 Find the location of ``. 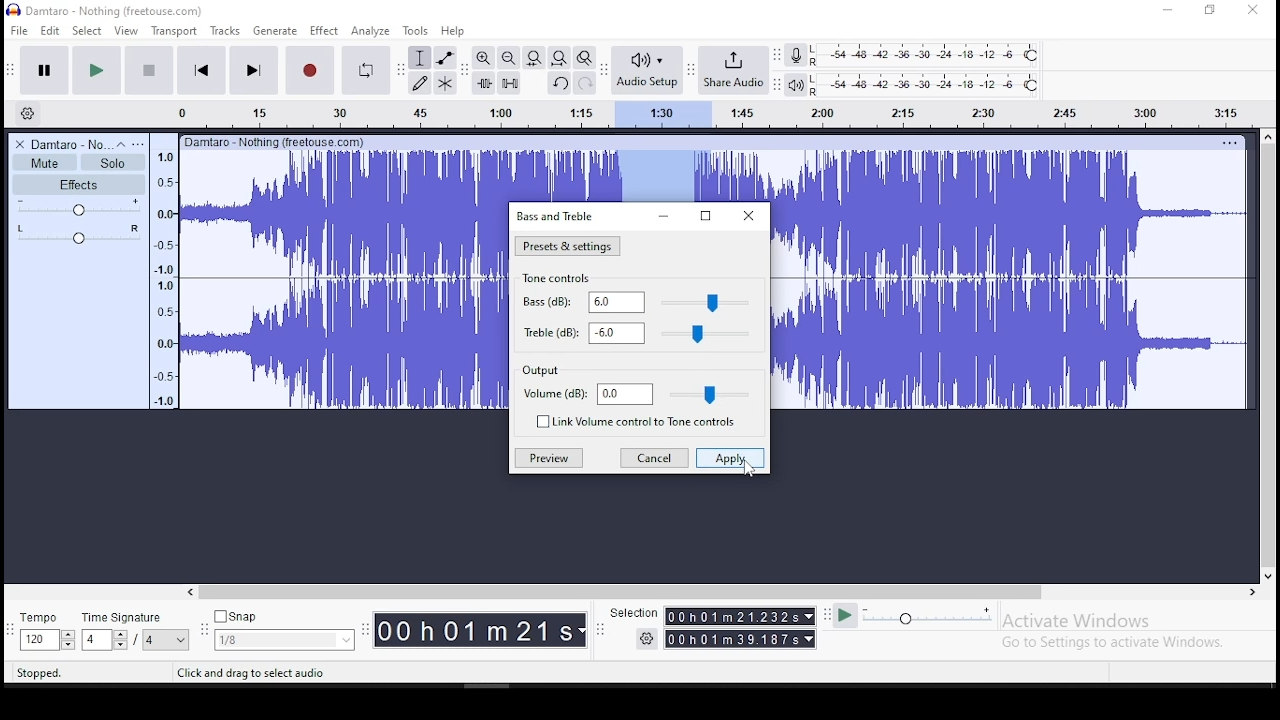

 is located at coordinates (275, 141).